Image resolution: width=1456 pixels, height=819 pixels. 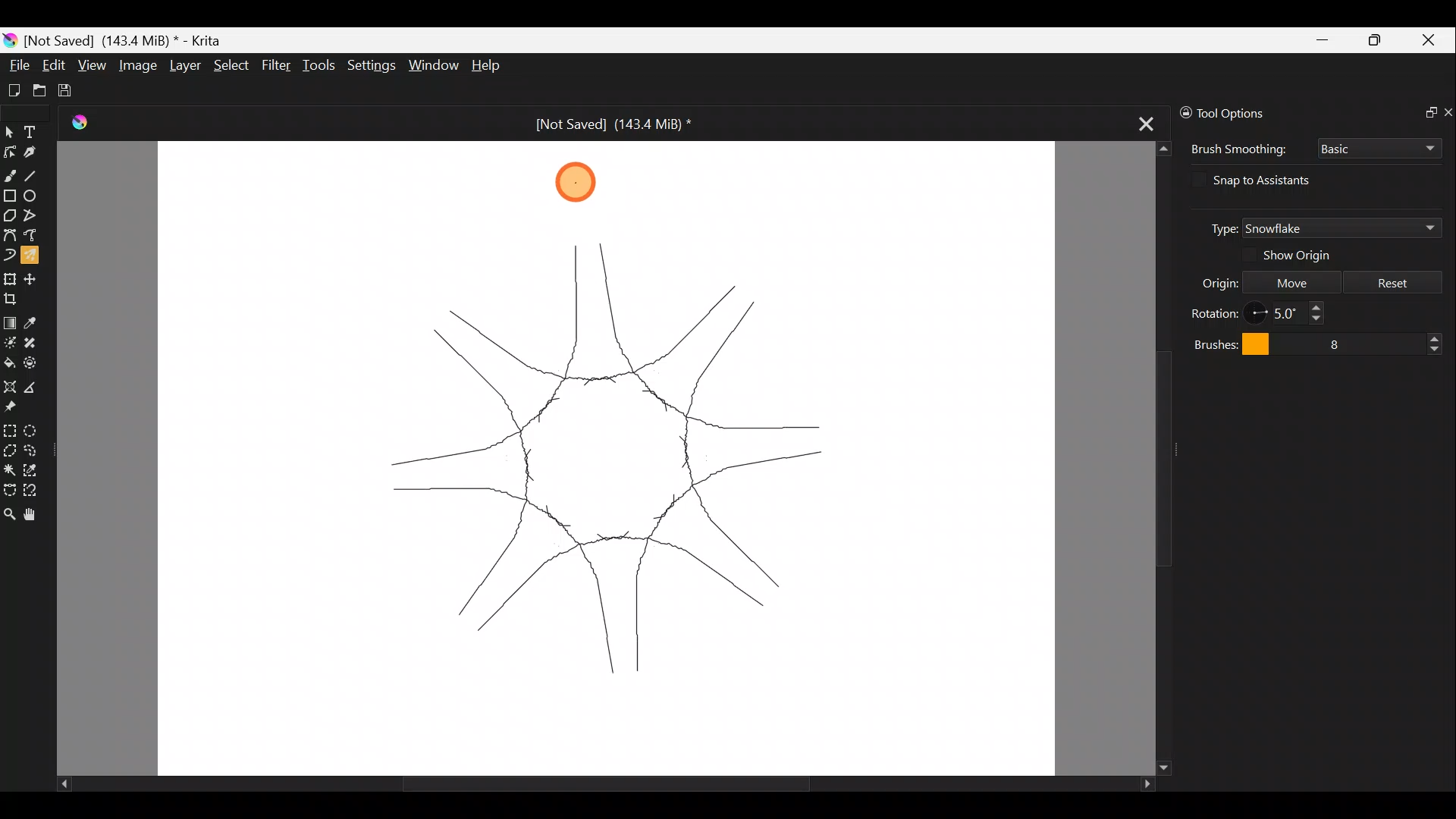 What do you see at coordinates (86, 124) in the screenshot?
I see `Logo` at bounding box center [86, 124].